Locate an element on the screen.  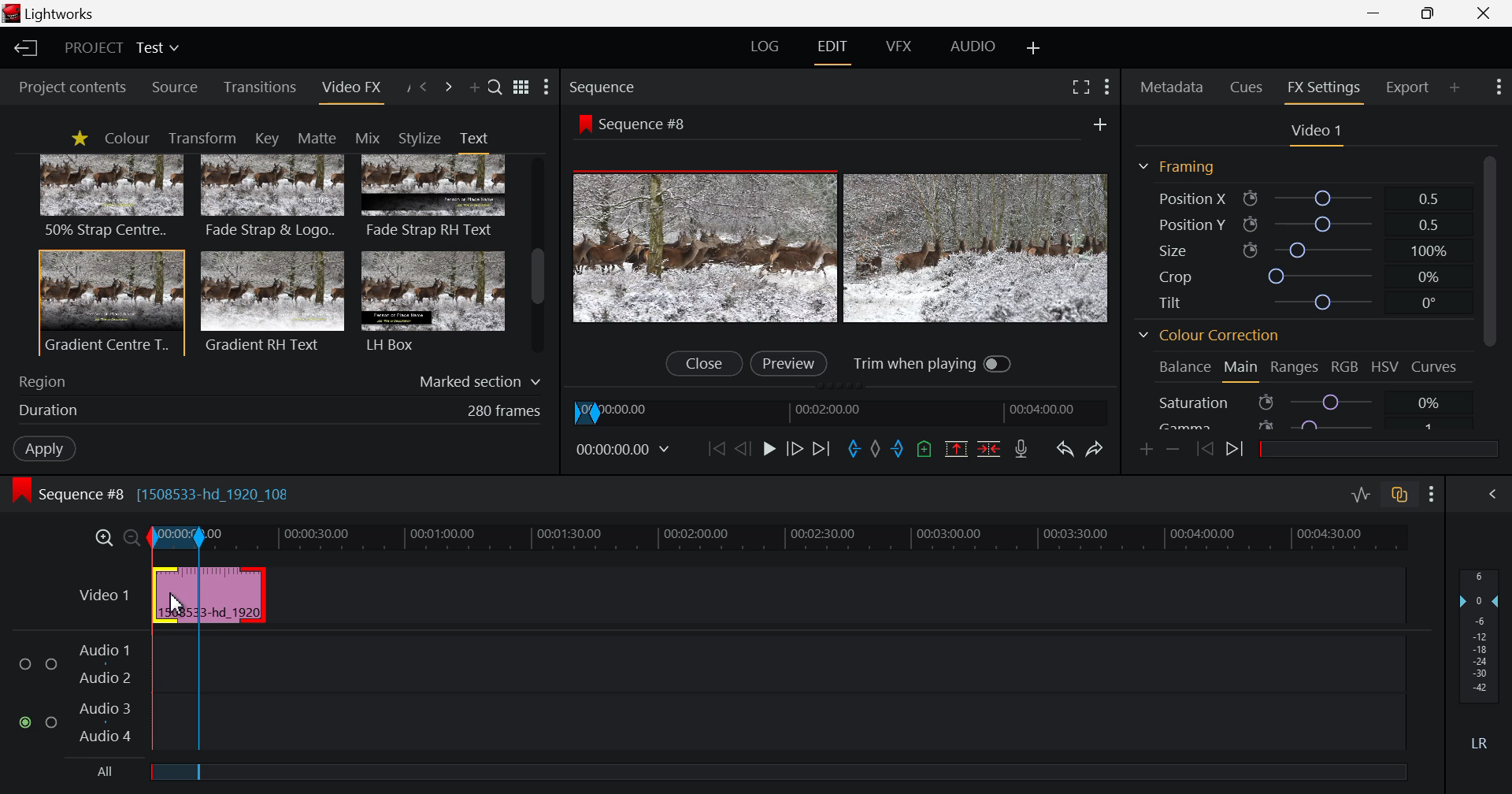
Toggle audio levels editing is located at coordinates (1364, 495).